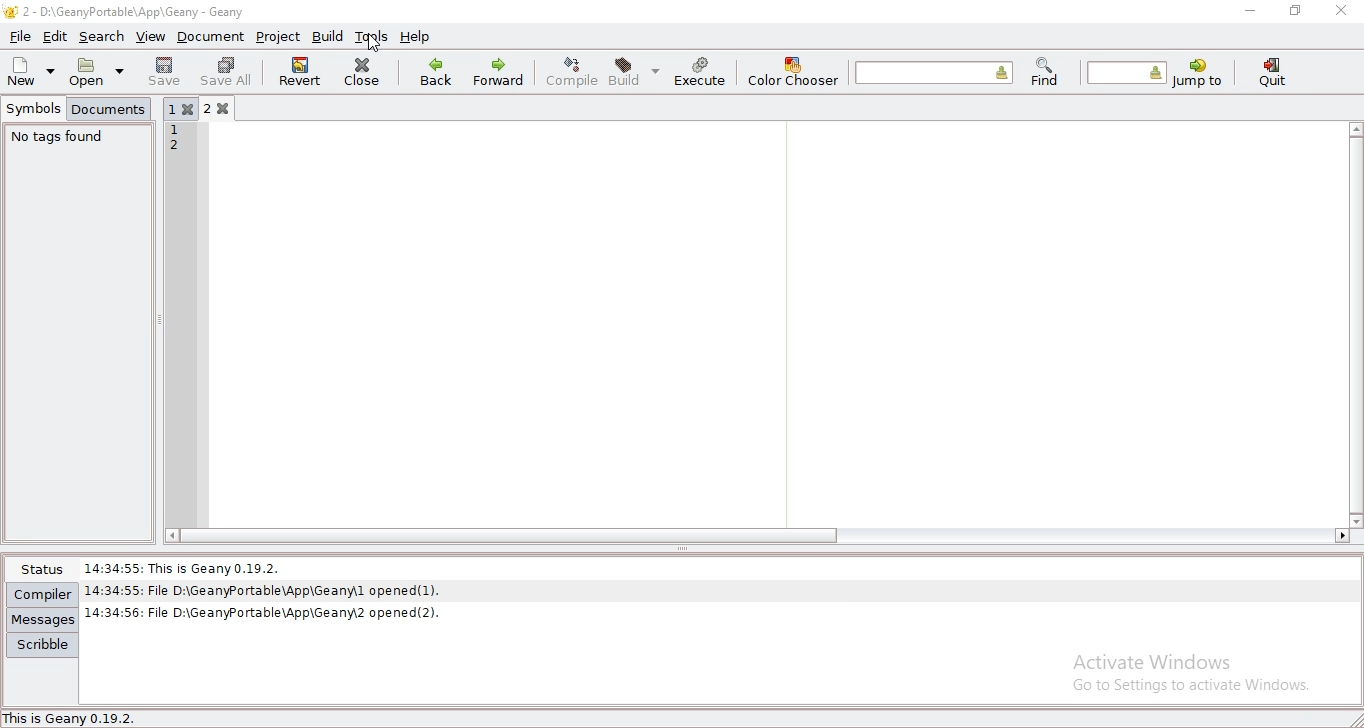  I want to click on scroll bar, so click(500, 535).